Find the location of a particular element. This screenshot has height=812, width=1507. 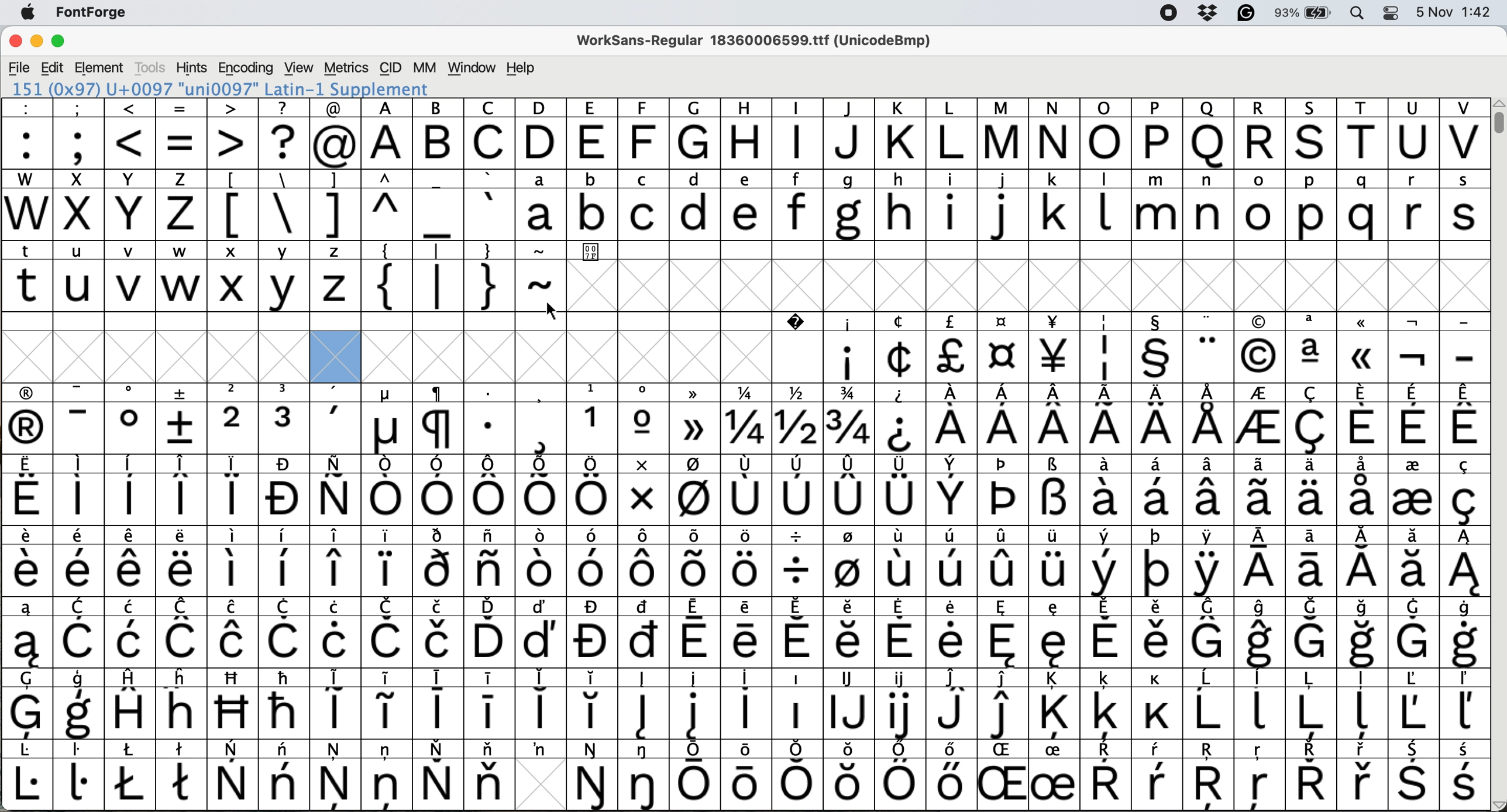

symbol is located at coordinates (749, 632).